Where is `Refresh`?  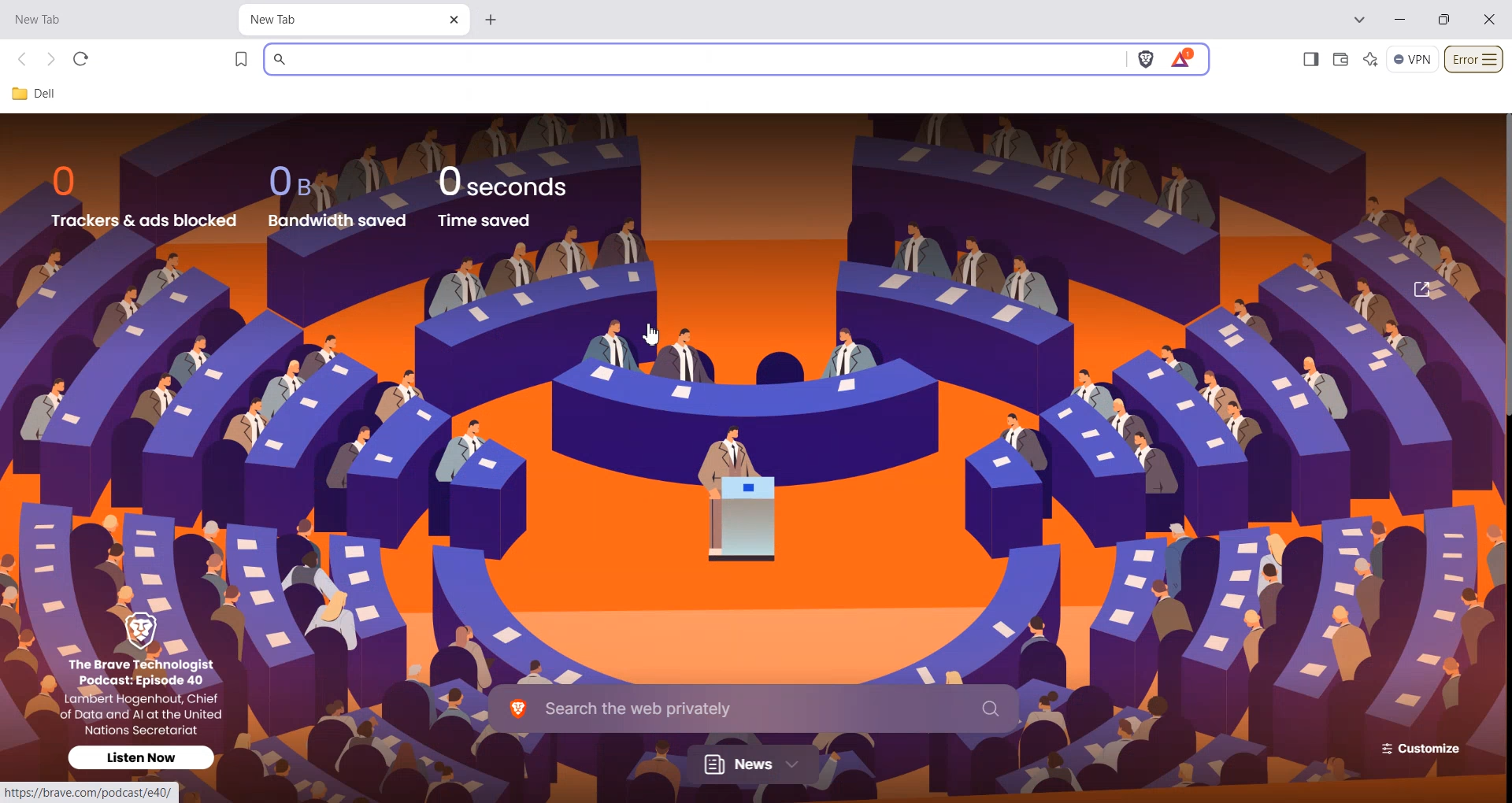
Refresh is located at coordinates (80, 59).